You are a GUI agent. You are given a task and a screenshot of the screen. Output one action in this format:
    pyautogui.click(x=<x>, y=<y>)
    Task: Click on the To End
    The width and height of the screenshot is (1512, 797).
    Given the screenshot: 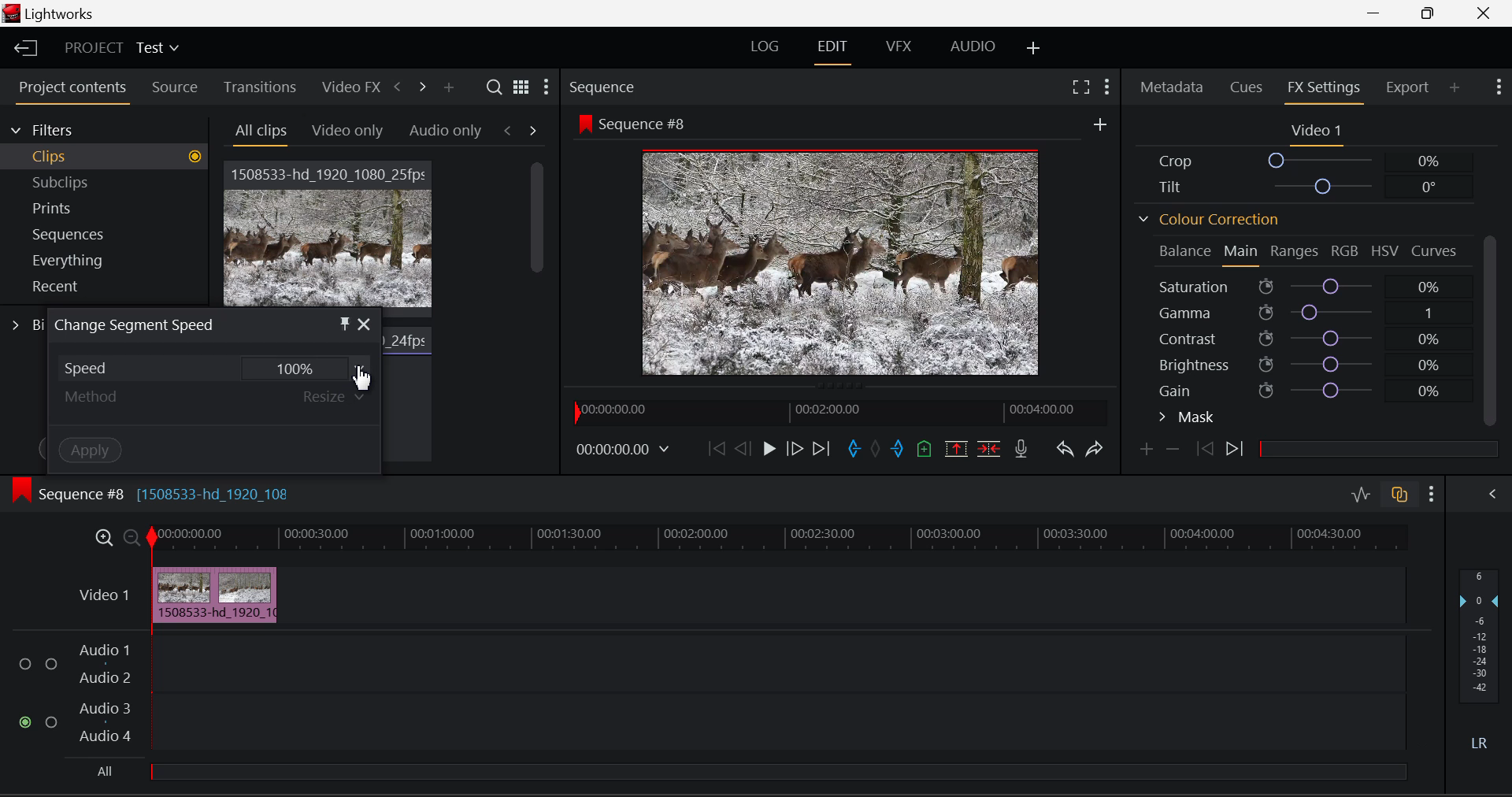 What is the action you would take?
    pyautogui.click(x=821, y=450)
    